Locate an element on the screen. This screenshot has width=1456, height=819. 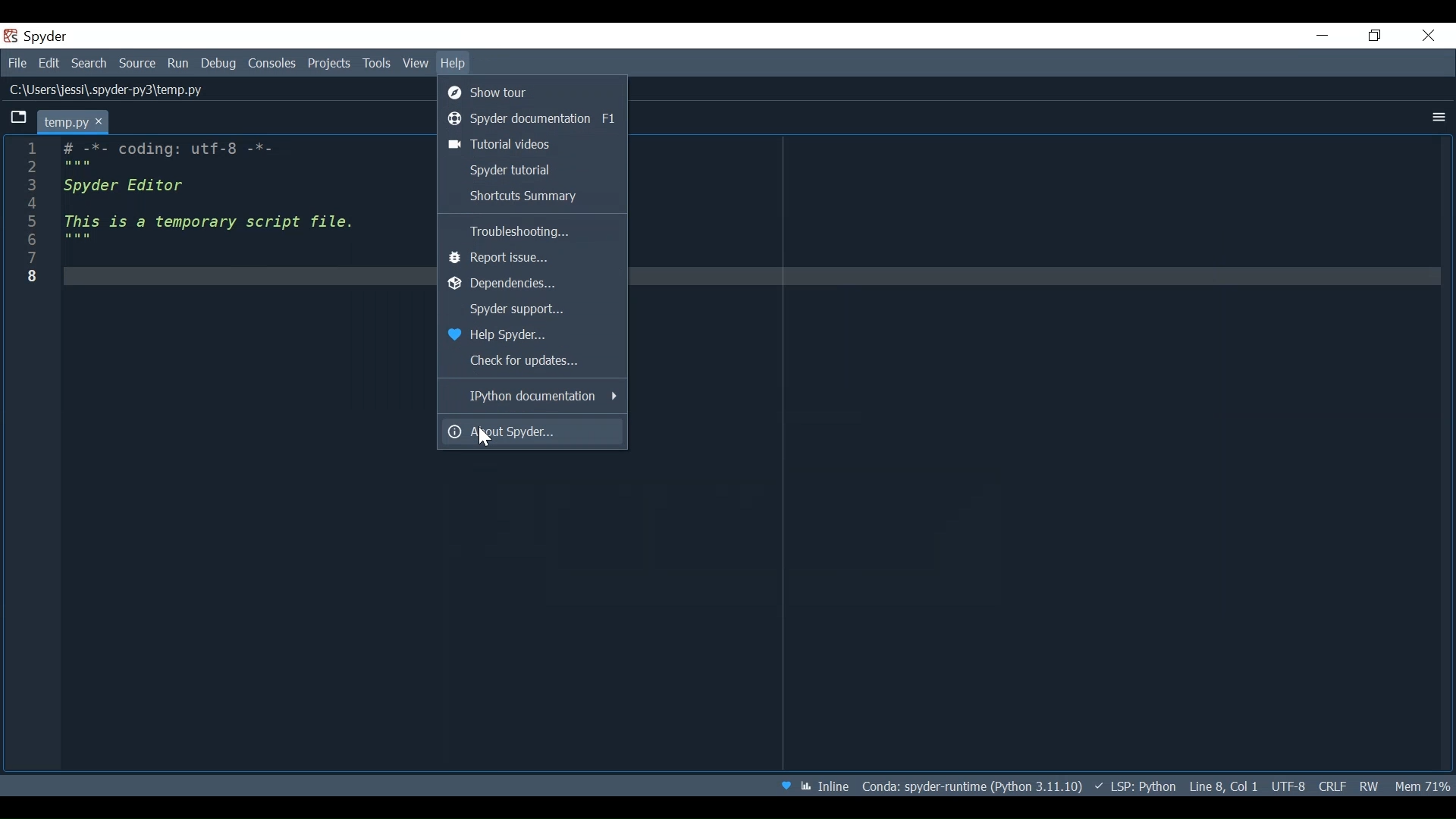
View is located at coordinates (416, 64).